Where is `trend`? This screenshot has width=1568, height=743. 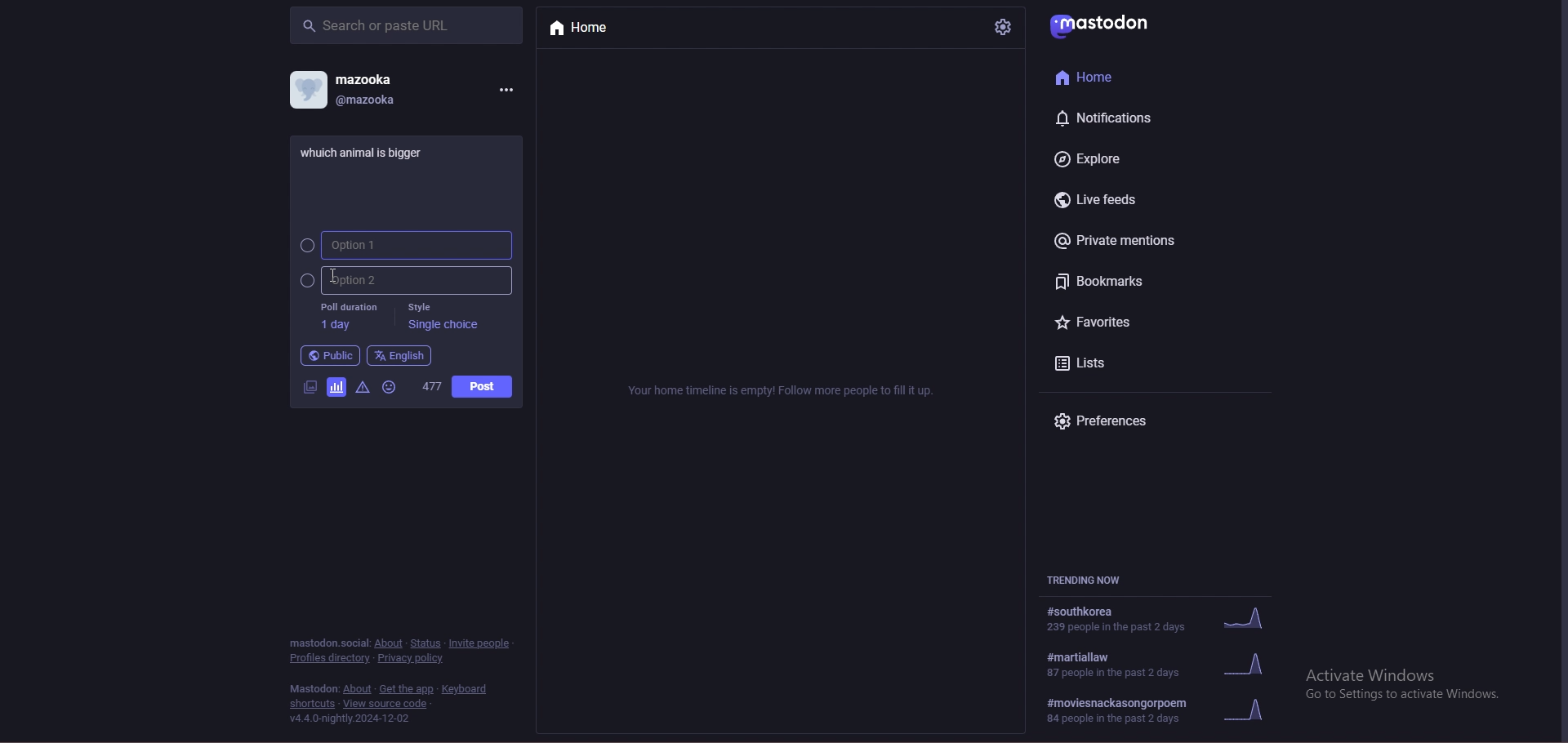 trend is located at coordinates (1166, 665).